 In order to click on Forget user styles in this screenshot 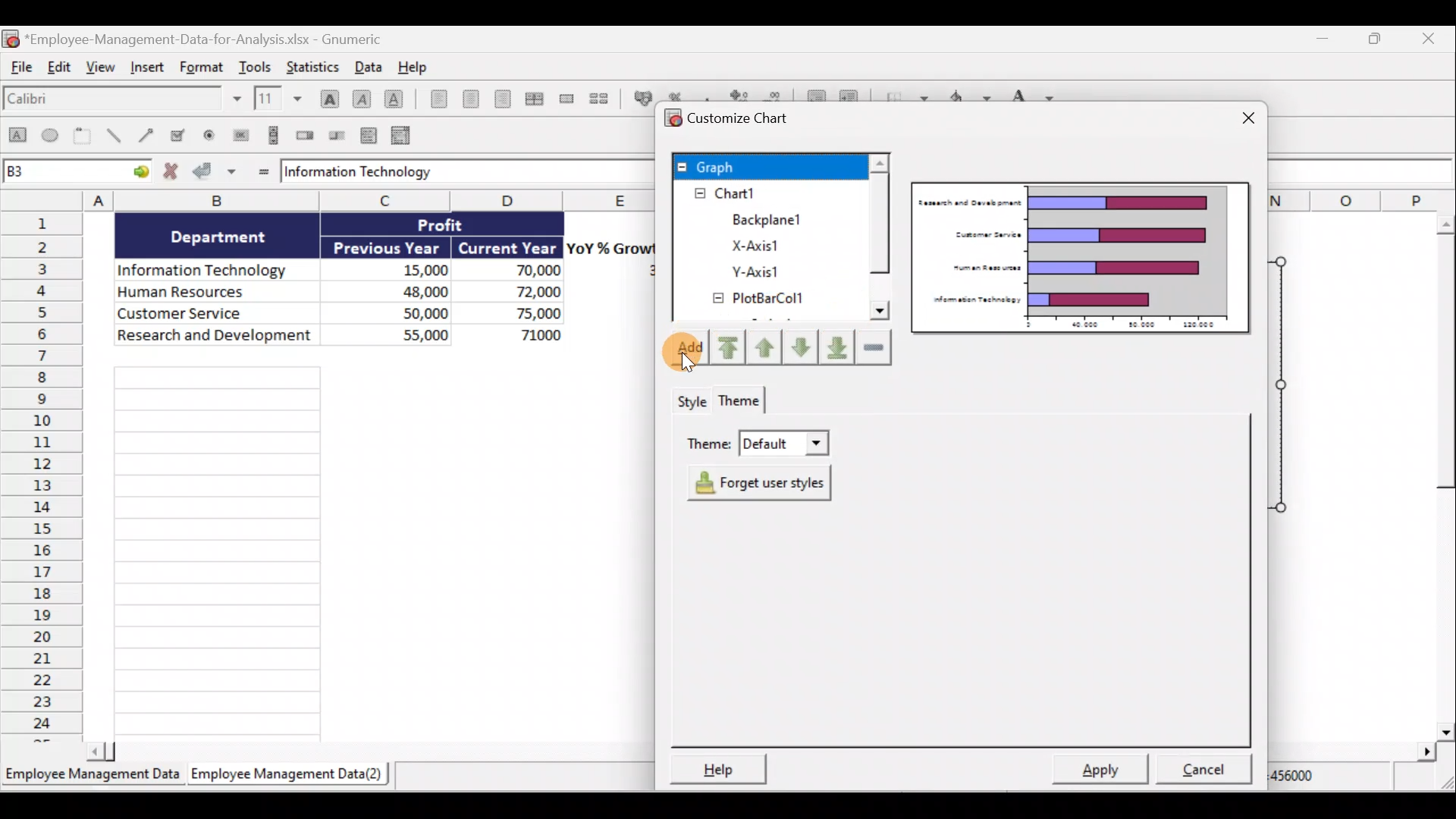, I will do `click(765, 483)`.